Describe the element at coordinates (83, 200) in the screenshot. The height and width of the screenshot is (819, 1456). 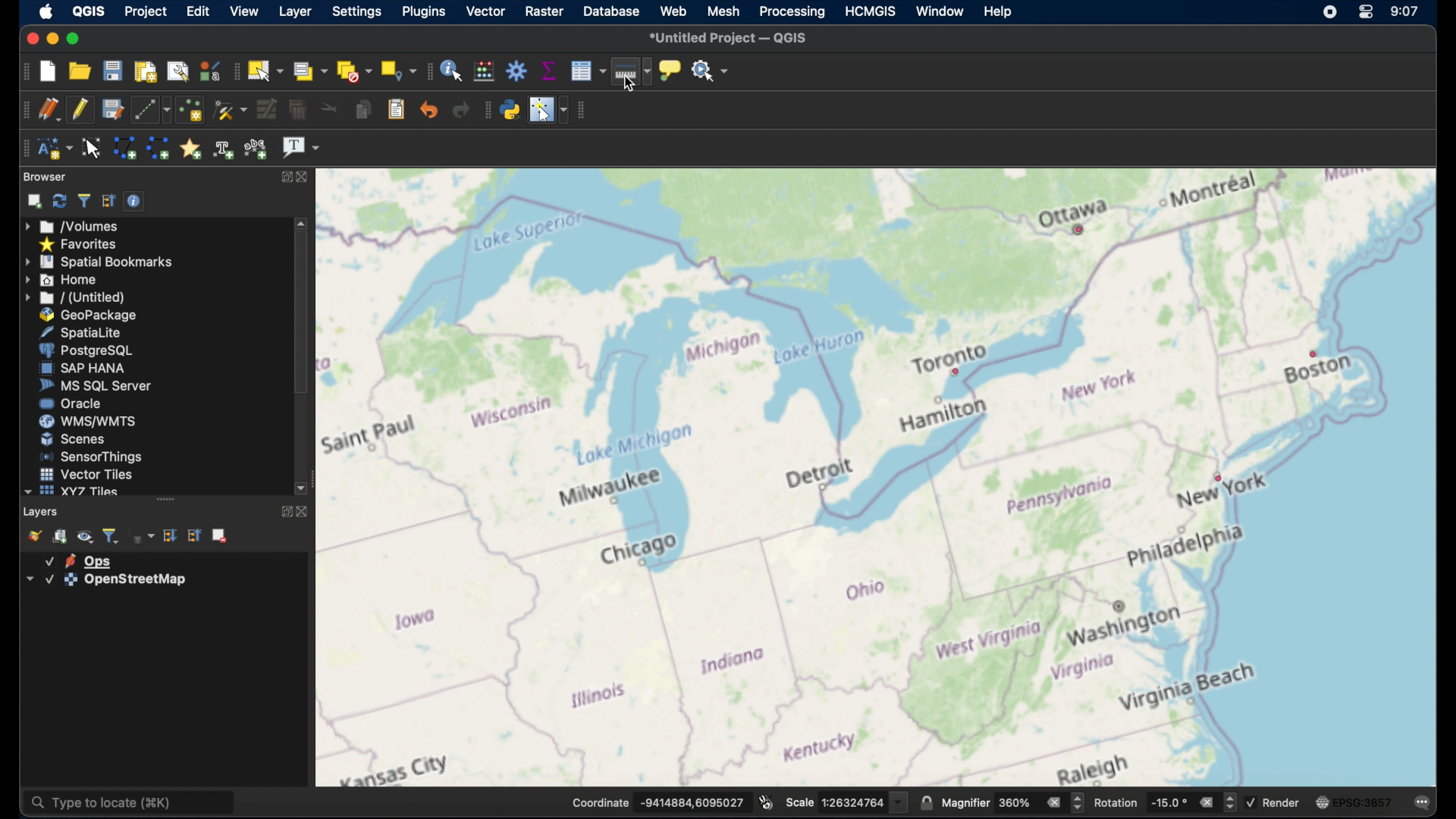
I see `filter browser` at that location.